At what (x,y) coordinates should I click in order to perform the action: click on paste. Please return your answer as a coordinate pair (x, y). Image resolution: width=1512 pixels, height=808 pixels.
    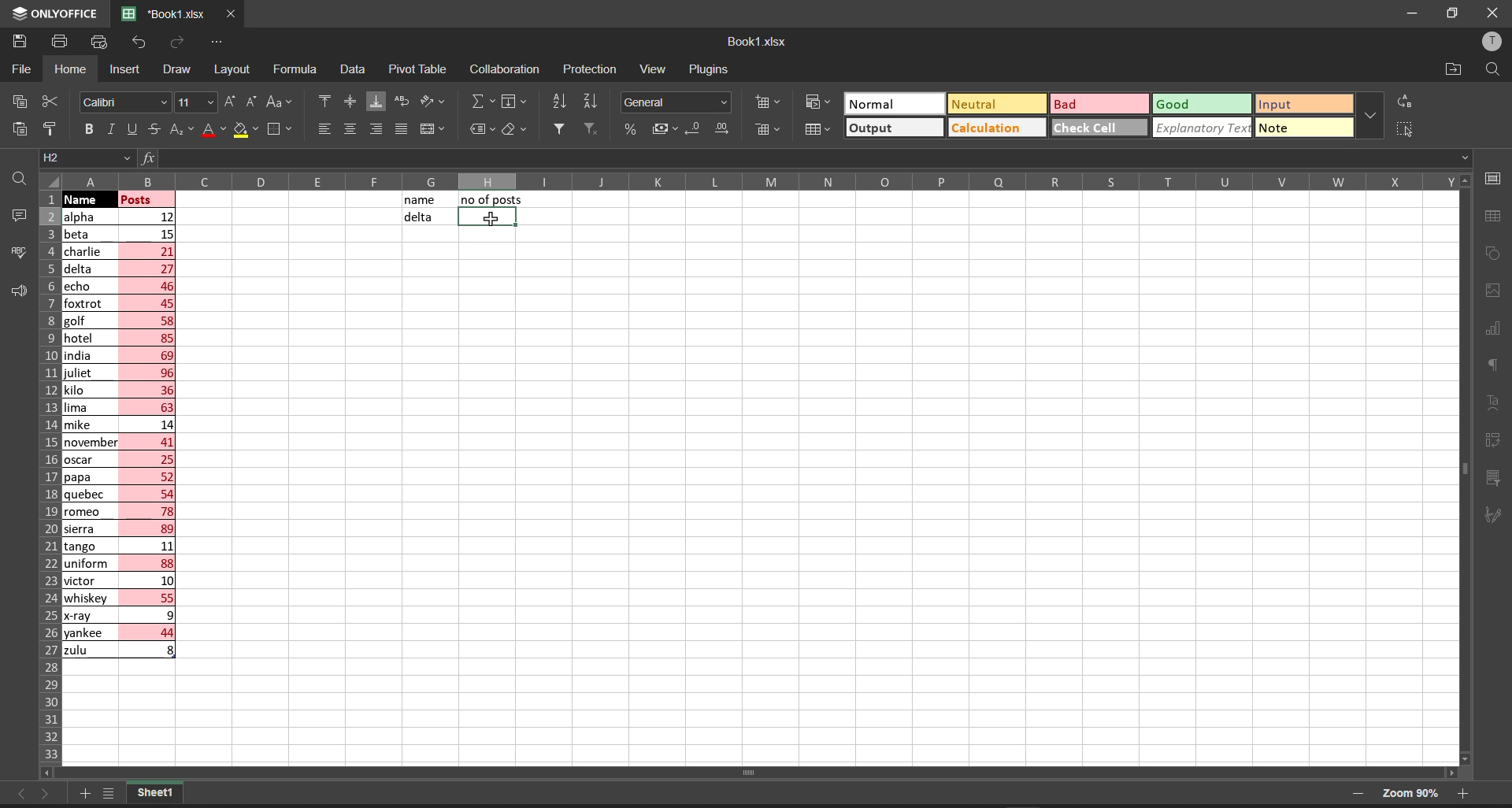
    Looking at the image, I should click on (16, 128).